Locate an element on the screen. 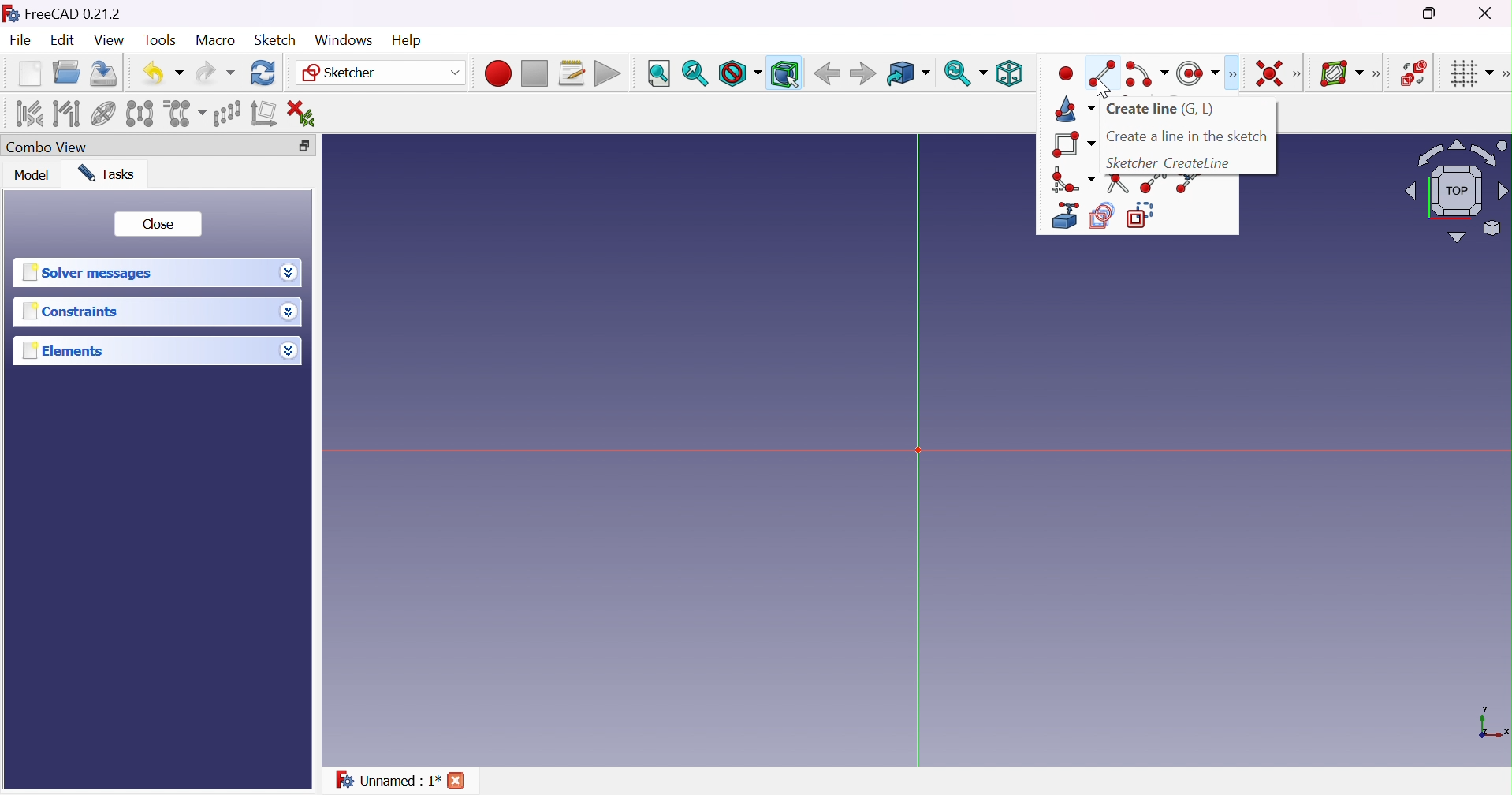 The image size is (1512, 795). Create line (G,L) is located at coordinates (1163, 110).